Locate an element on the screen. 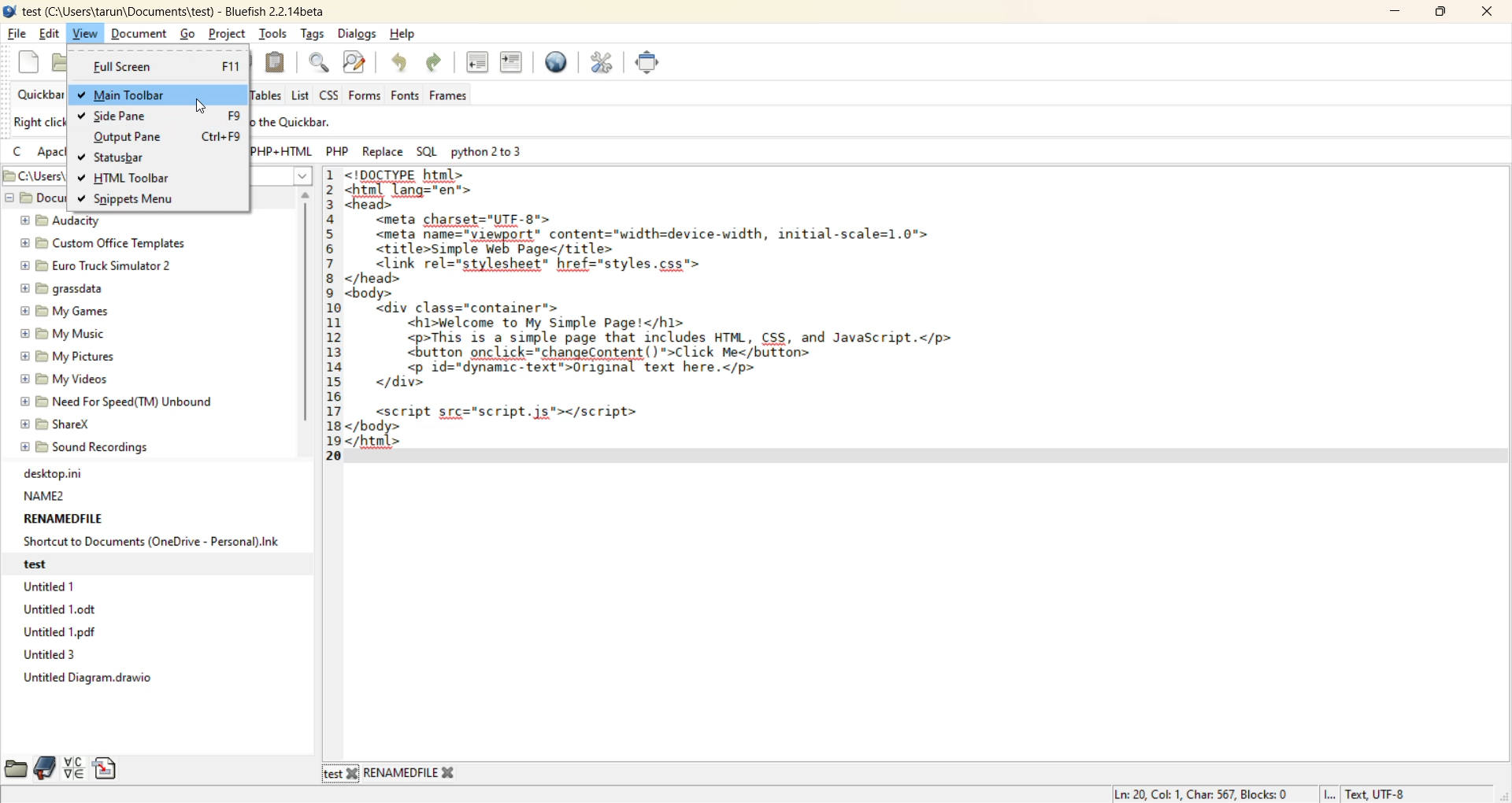 The width and height of the screenshot is (1512, 803). cursor is located at coordinates (202, 108).